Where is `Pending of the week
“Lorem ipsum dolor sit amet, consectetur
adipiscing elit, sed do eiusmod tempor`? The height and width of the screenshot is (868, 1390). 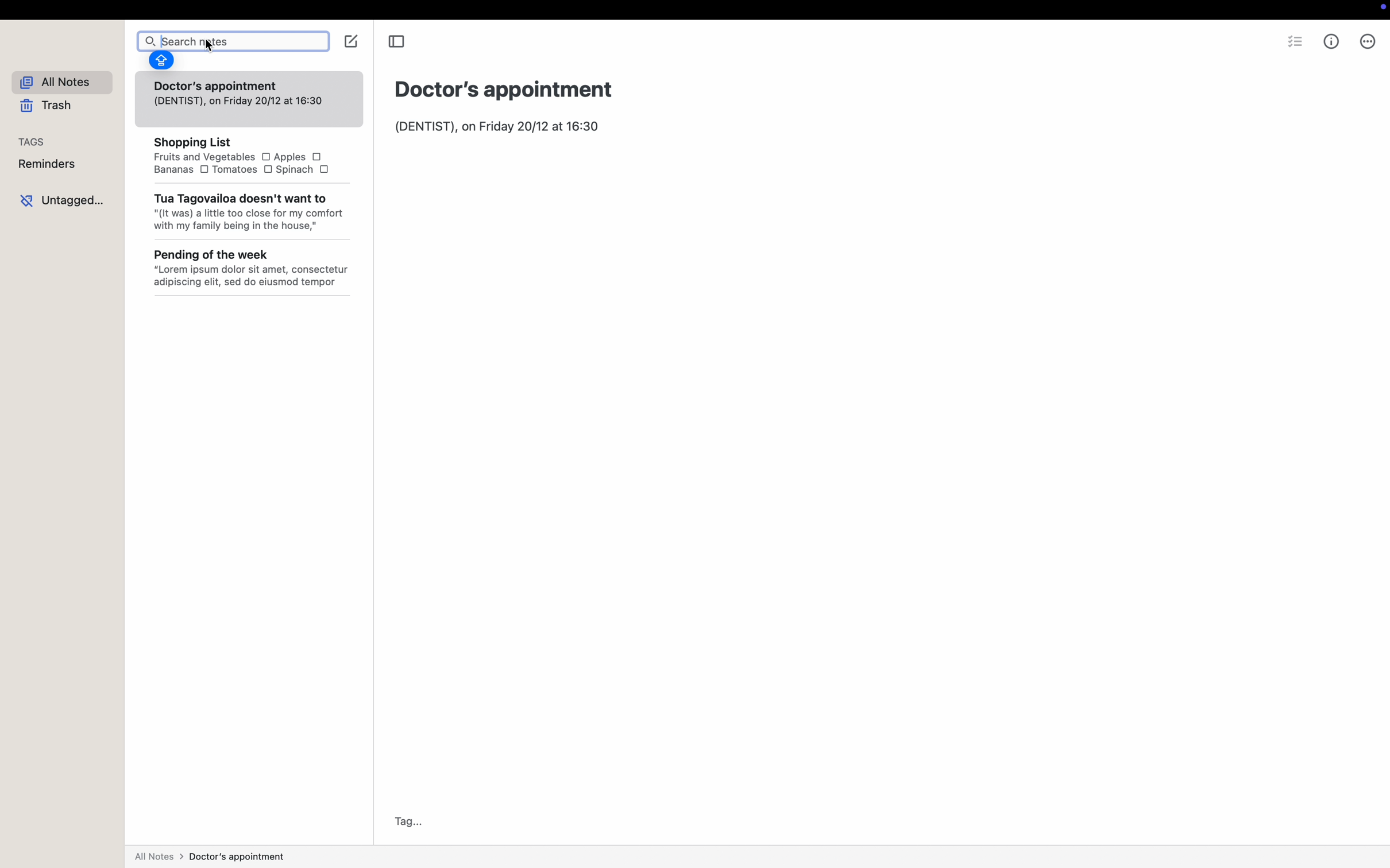 Pending of the week
“Lorem ipsum dolor sit amet, consectetur
adipiscing elit, sed do eiusmod tempor is located at coordinates (252, 270).